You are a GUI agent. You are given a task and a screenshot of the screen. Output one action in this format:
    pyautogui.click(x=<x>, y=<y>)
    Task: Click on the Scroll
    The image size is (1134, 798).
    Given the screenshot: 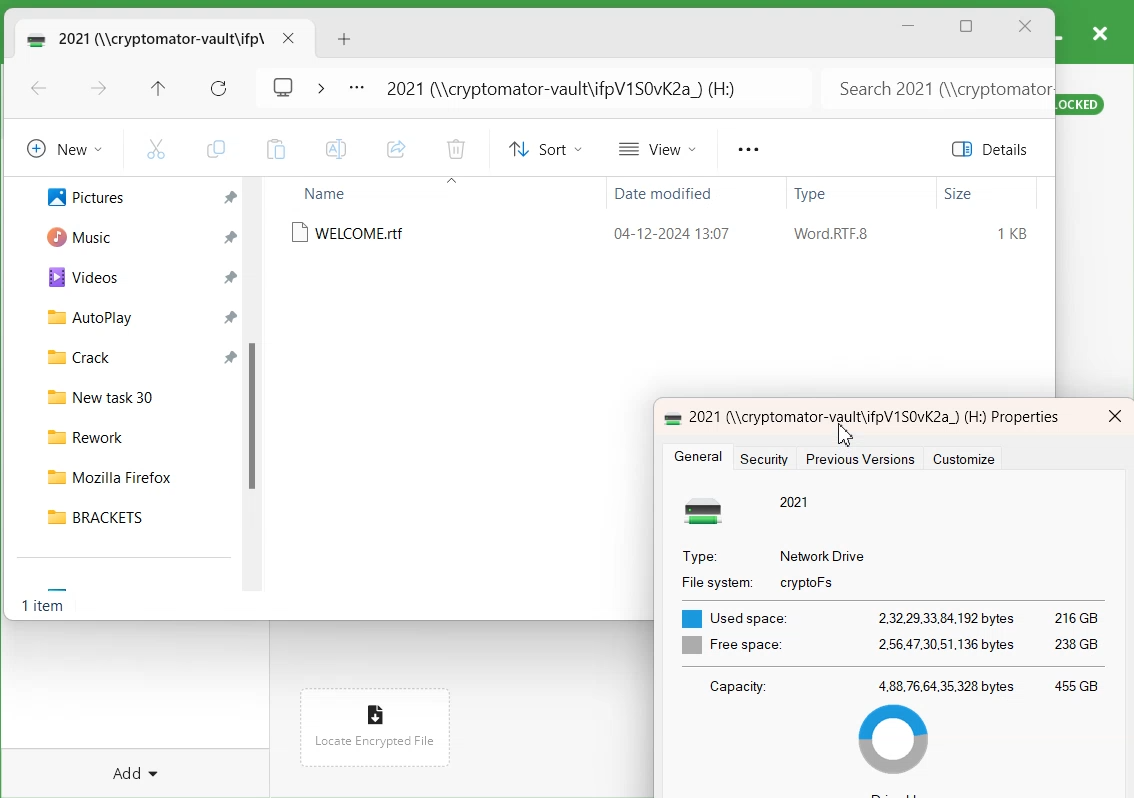 What is the action you would take?
    pyautogui.click(x=257, y=391)
    